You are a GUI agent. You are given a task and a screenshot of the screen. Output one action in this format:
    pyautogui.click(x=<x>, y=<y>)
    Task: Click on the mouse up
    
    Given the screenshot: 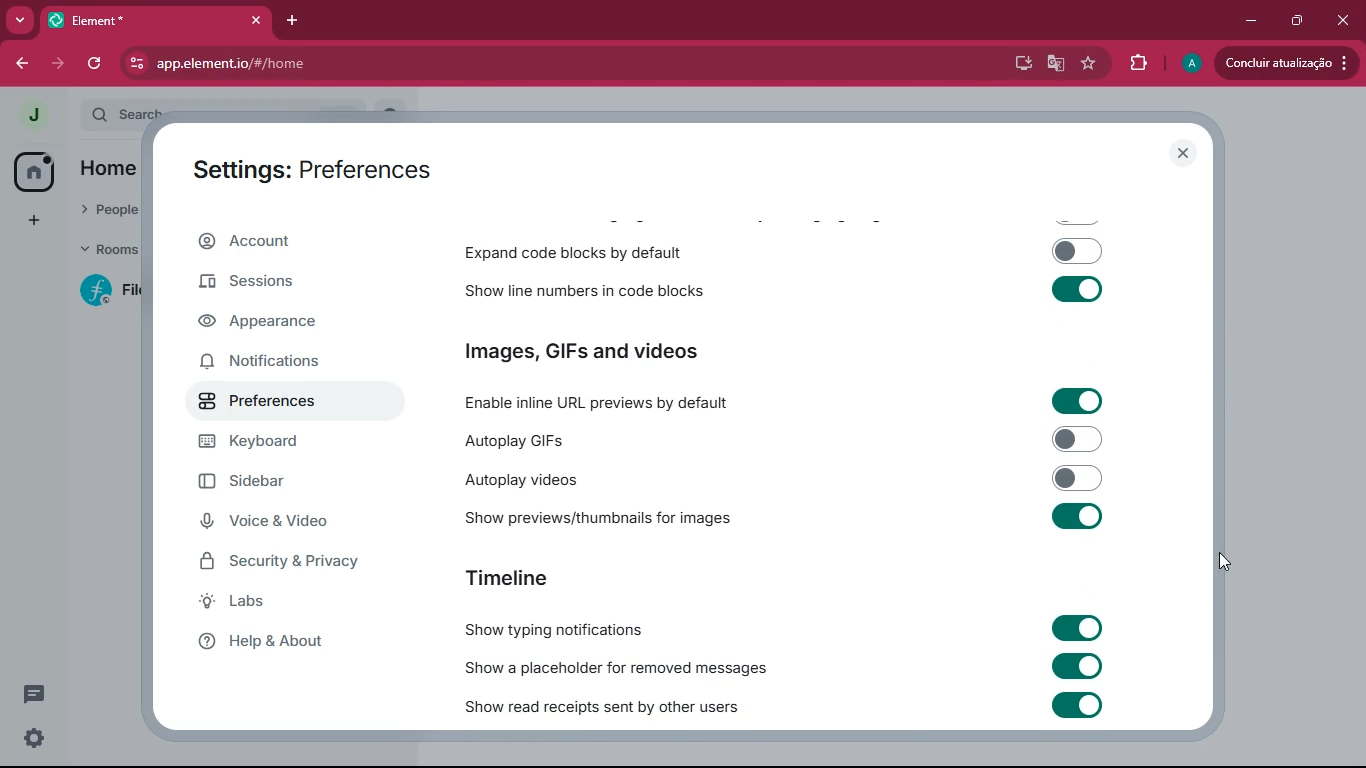 What is the action you would take?
    pyautogui.click(x=1225, y=561)
    